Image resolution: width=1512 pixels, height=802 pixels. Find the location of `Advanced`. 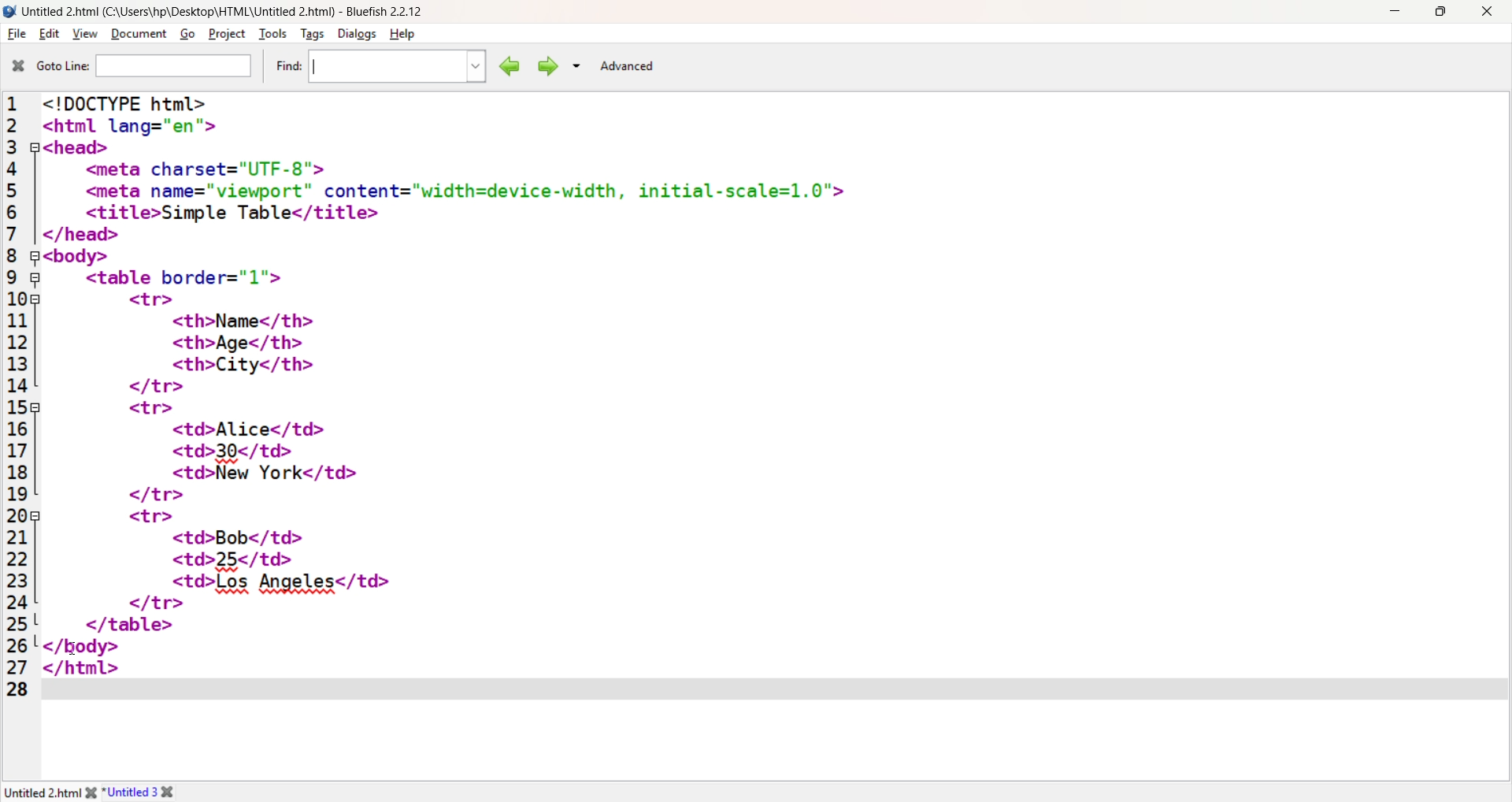

Advanced is located at coordinates (627, 66).